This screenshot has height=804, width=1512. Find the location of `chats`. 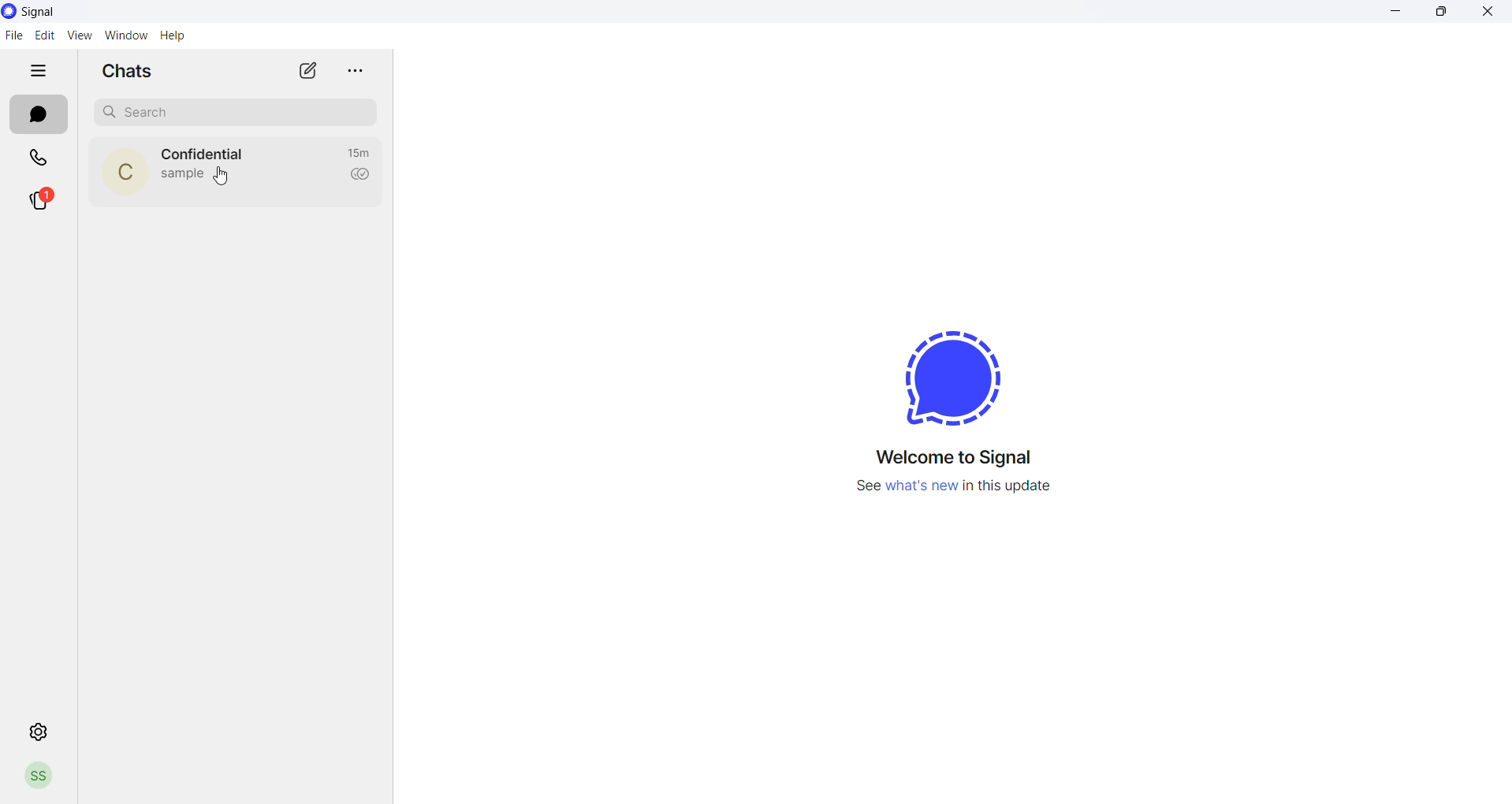

chats is located at coordinates (39, 115).